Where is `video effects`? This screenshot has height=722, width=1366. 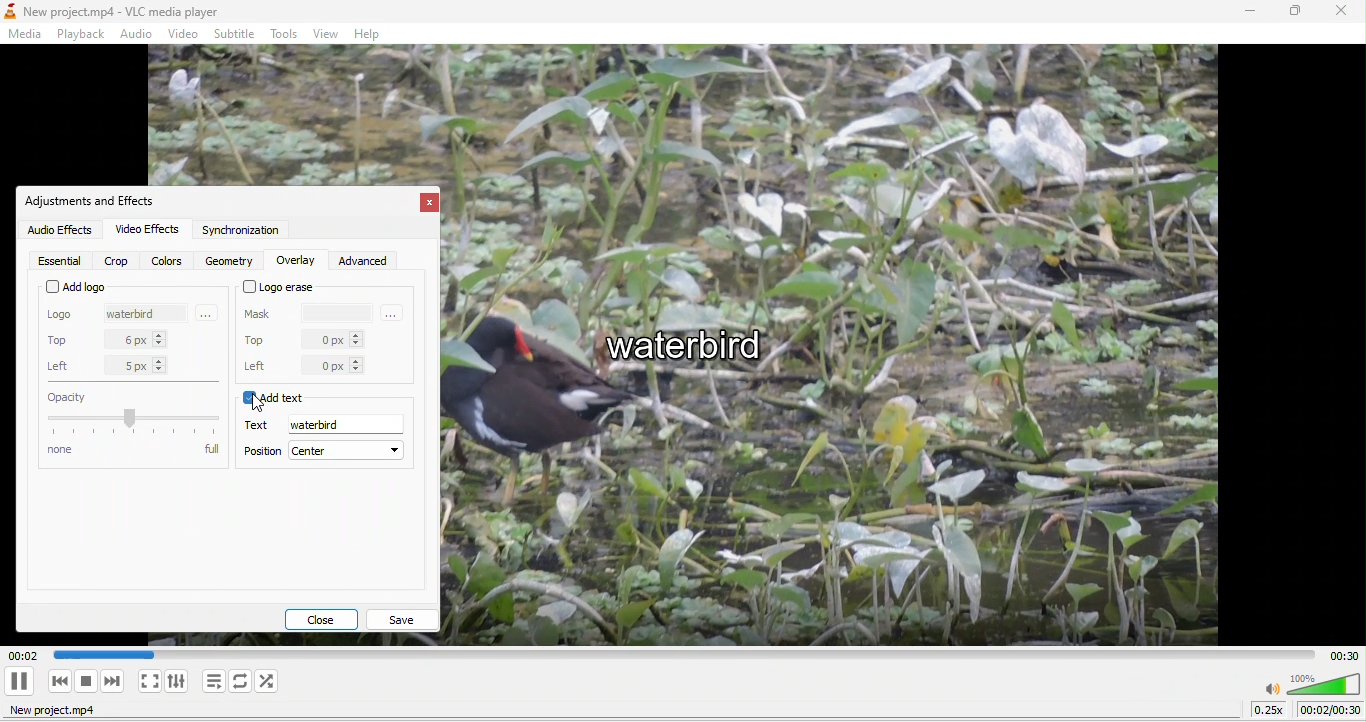
video effects is located at coordinates (149, 229).